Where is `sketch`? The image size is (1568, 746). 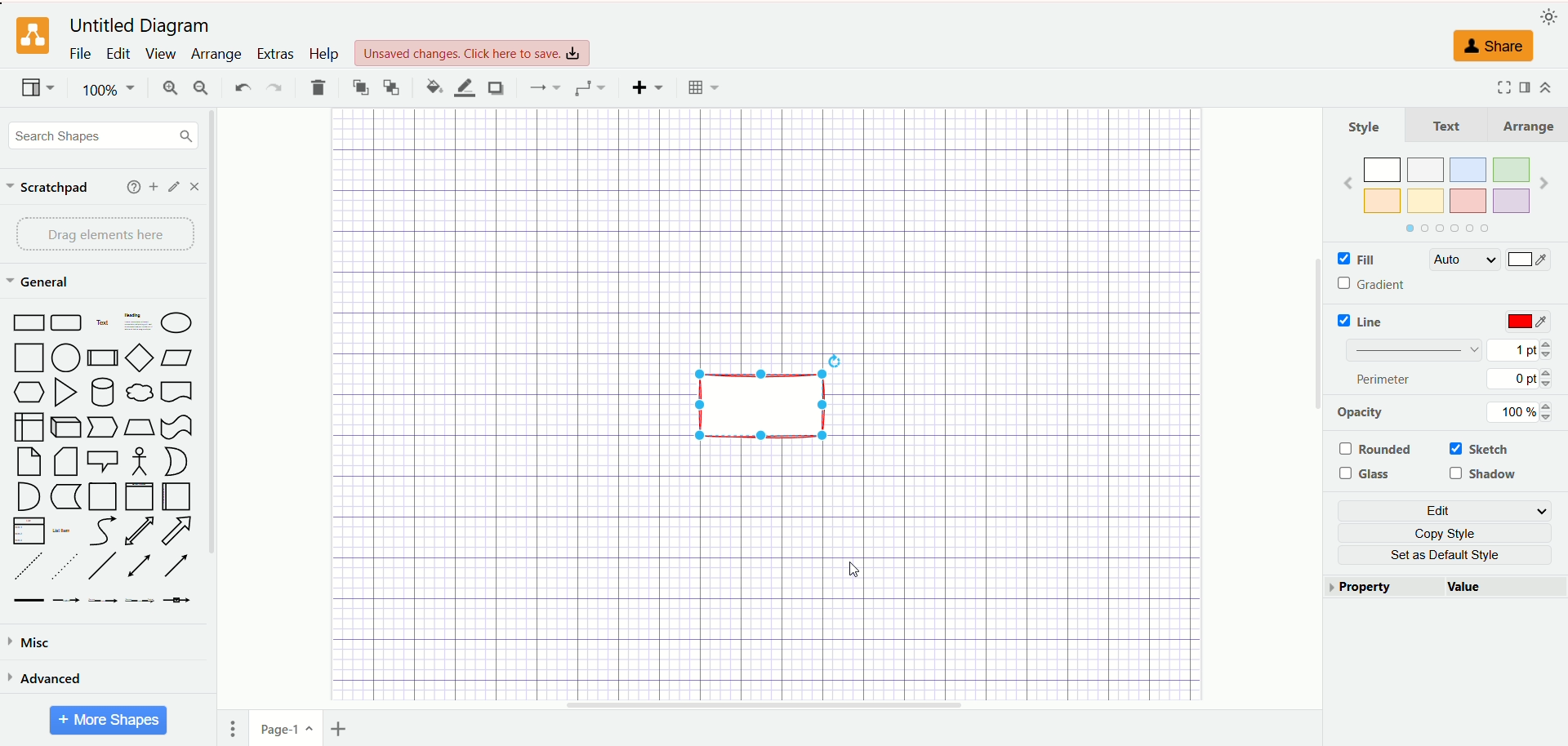 sketch is located at coordinates (1477, 448).